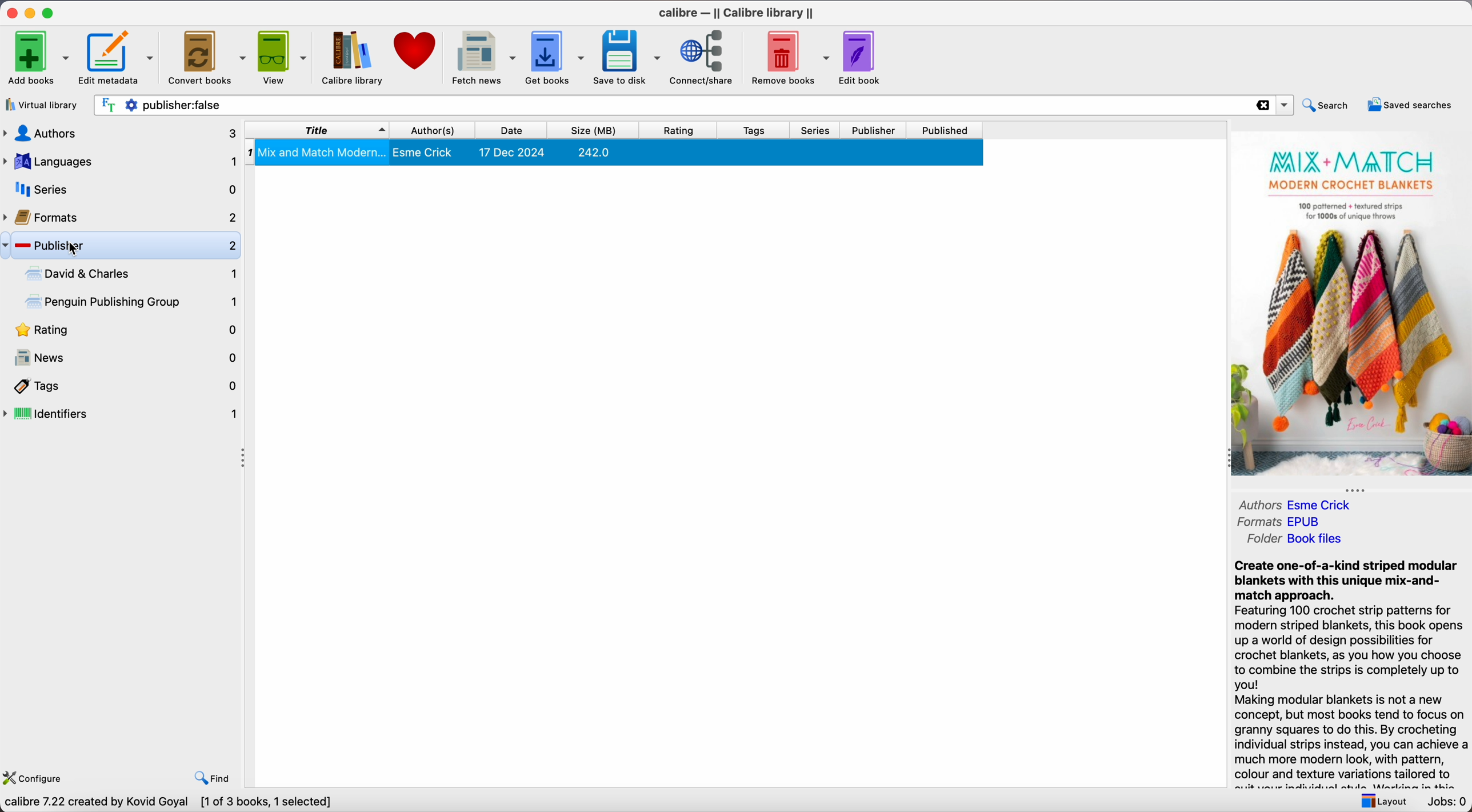 Image resolution: width=1472 pixels, height=812 pixels. What do you see at coordinates (119, 58) in the screenshot?
I see `edit metadata` at bounding box center [119, 58].